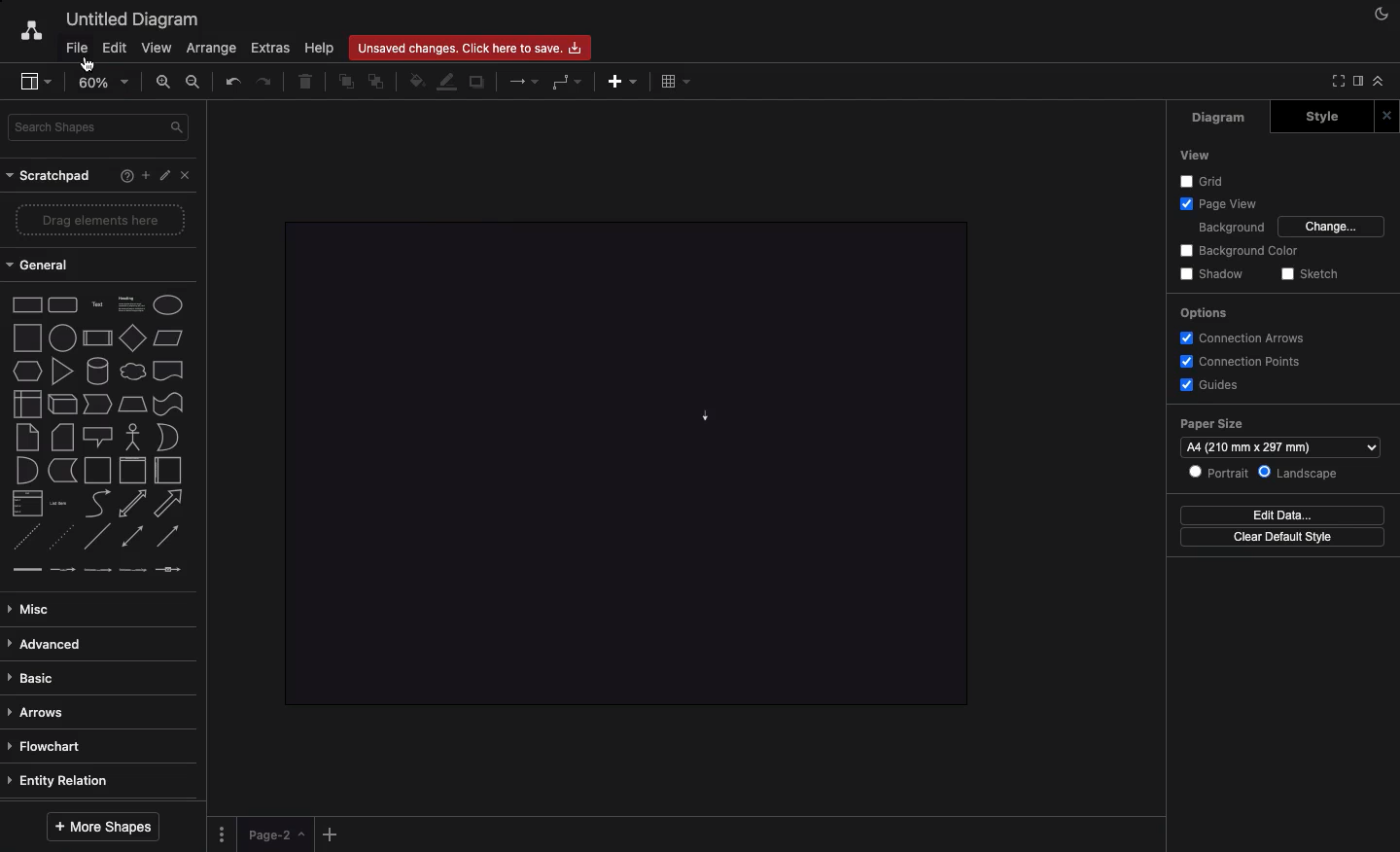 The image size is (1400, 852). I want to click on Arrange, so click(207, 49).